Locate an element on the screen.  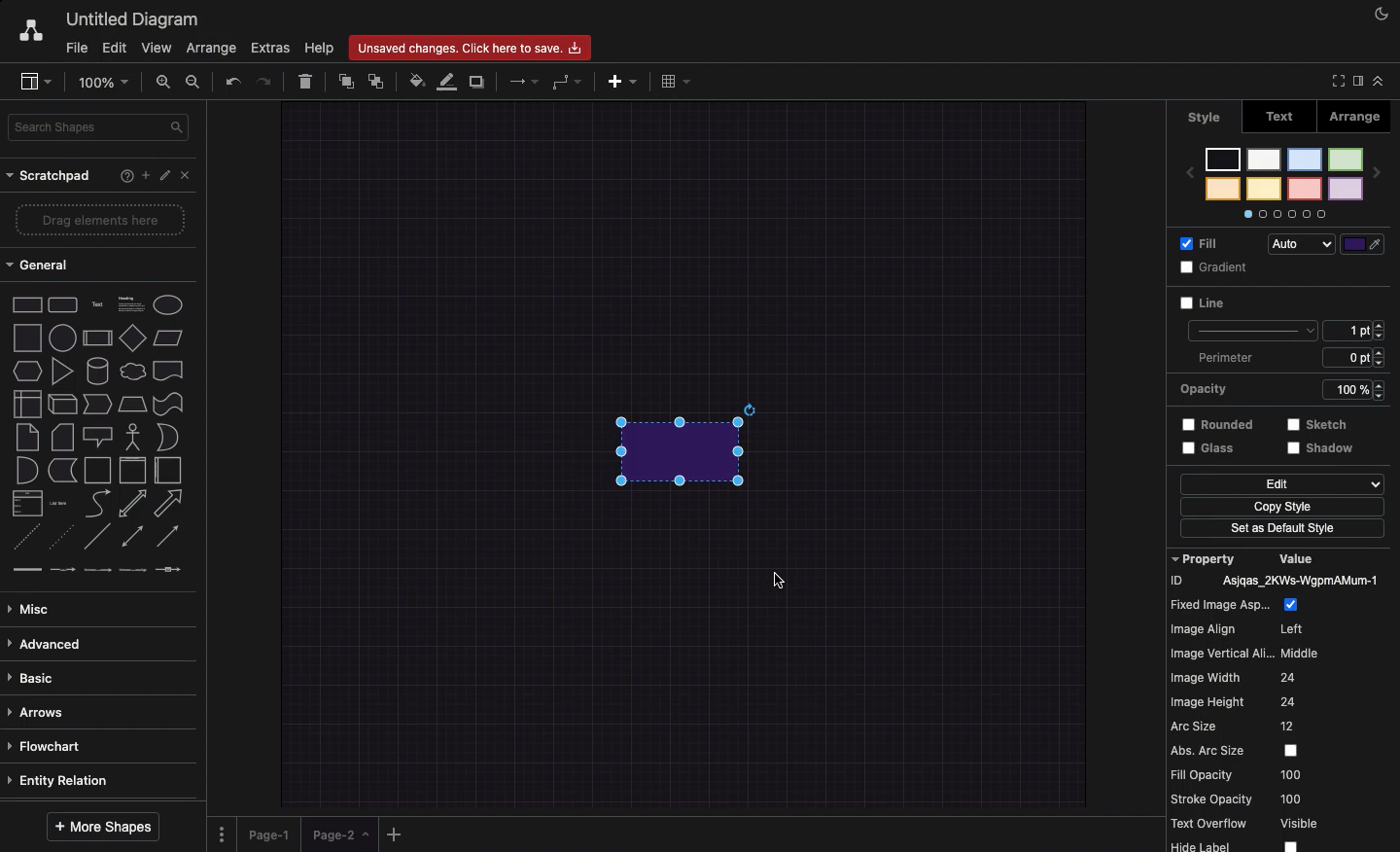
Zoom in is located at coordinates (166, 86).